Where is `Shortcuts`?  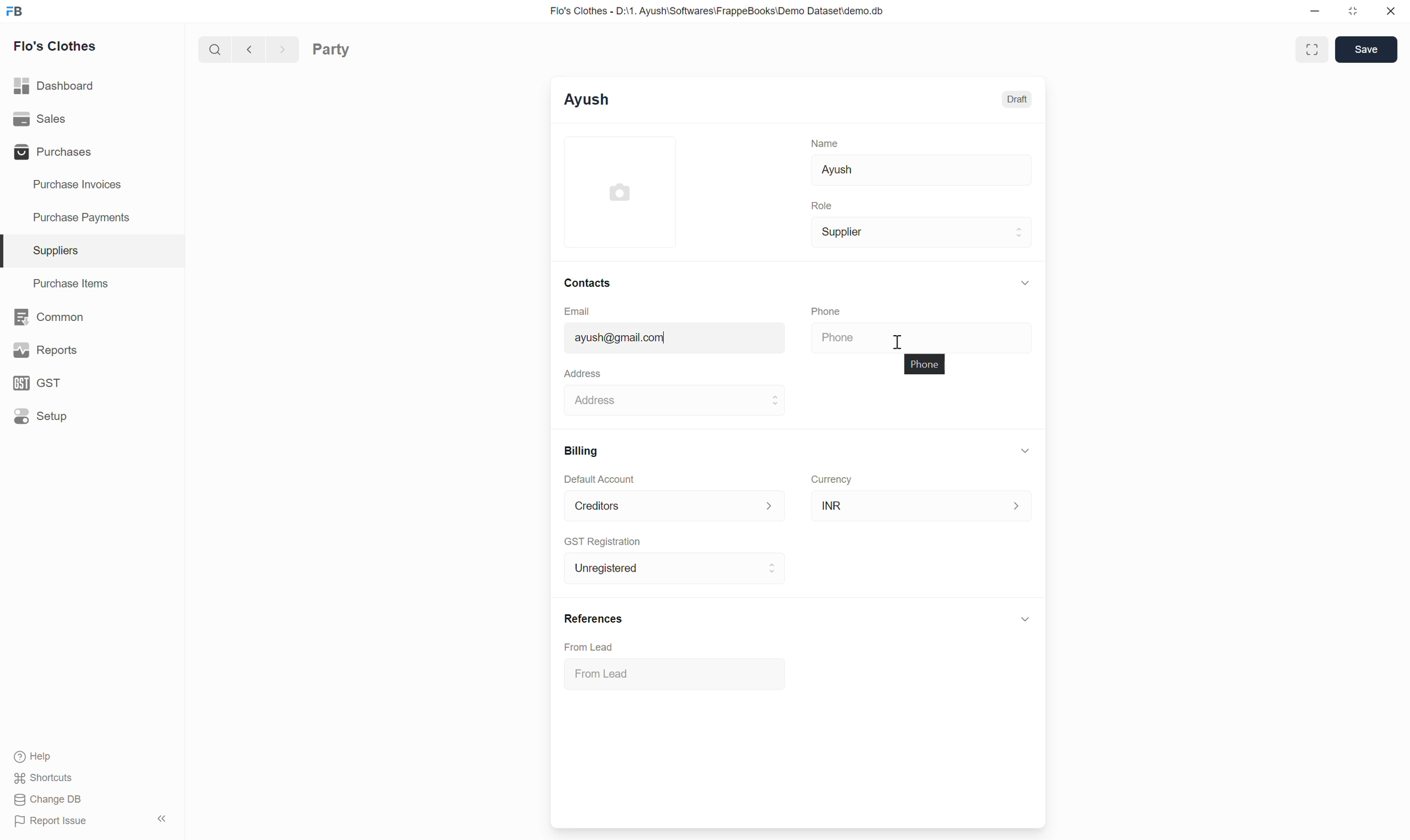 Shortcuts is located at coordinates (44, 778).